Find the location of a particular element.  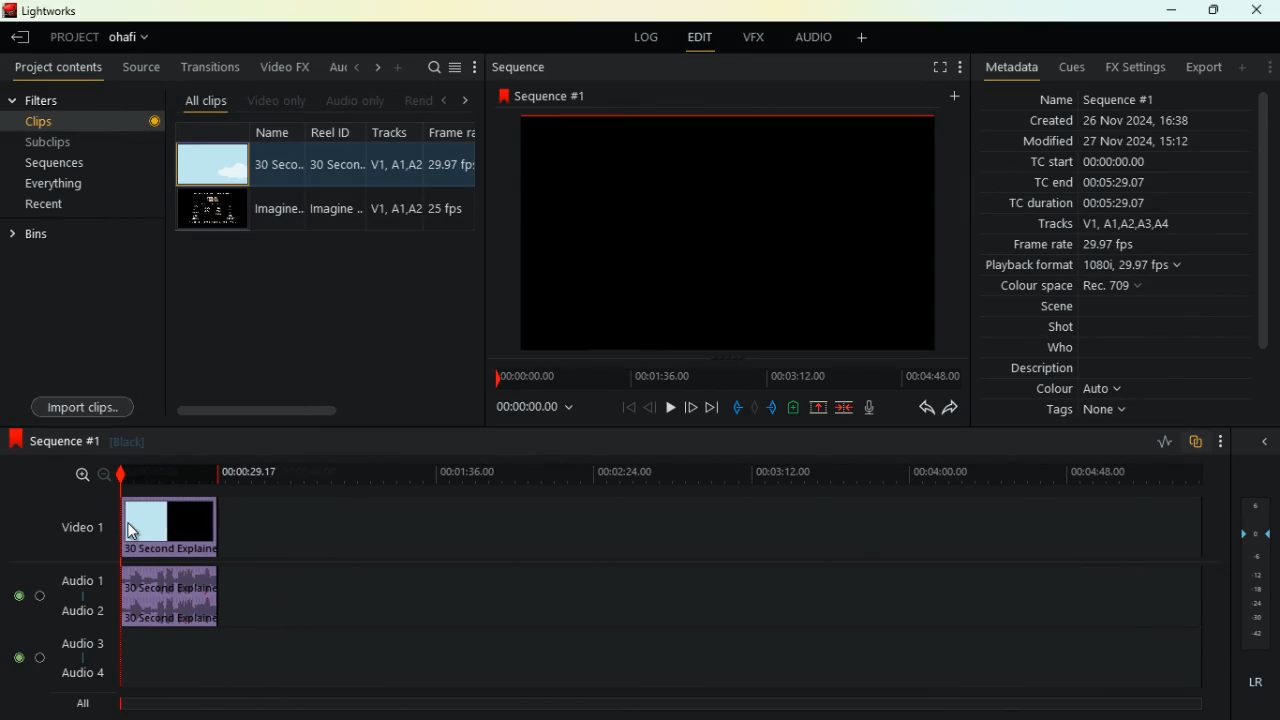

bins is located at coordinates (41, 235).